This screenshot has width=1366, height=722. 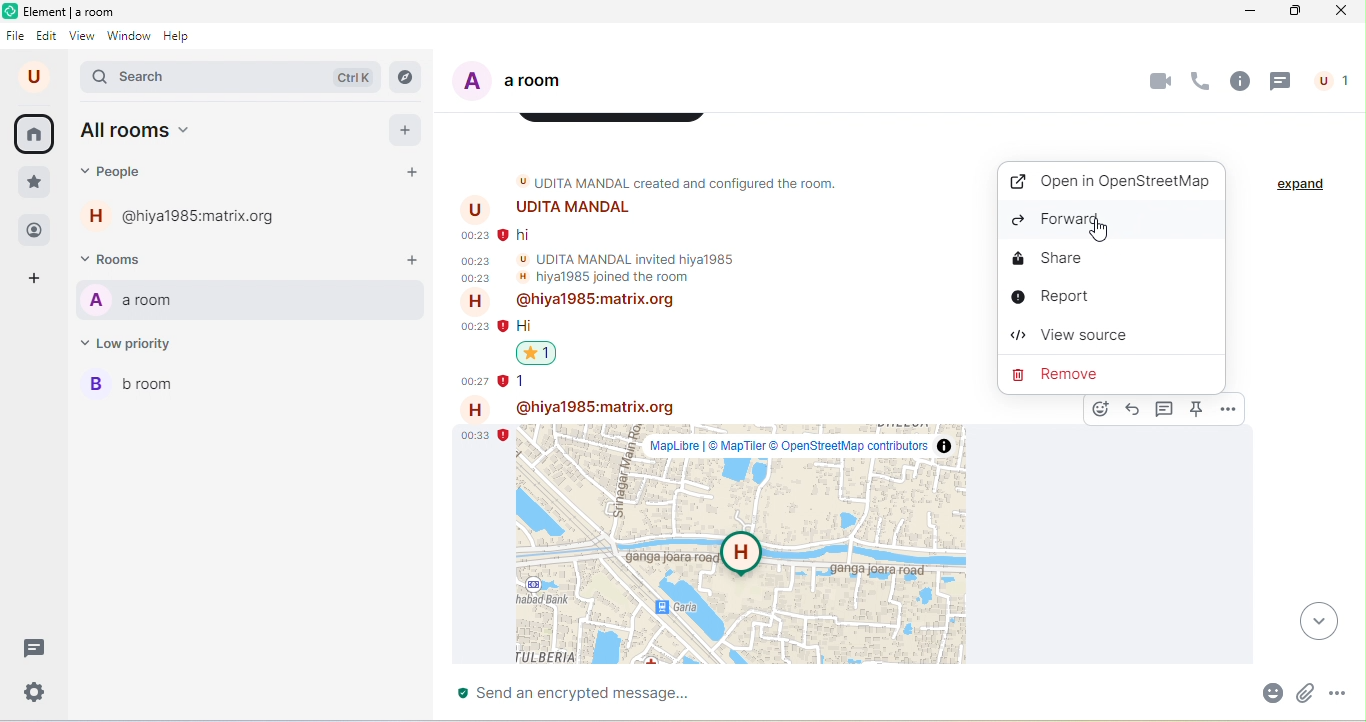 I want to click on Timestamp of texts, so click(x=473, y=435).